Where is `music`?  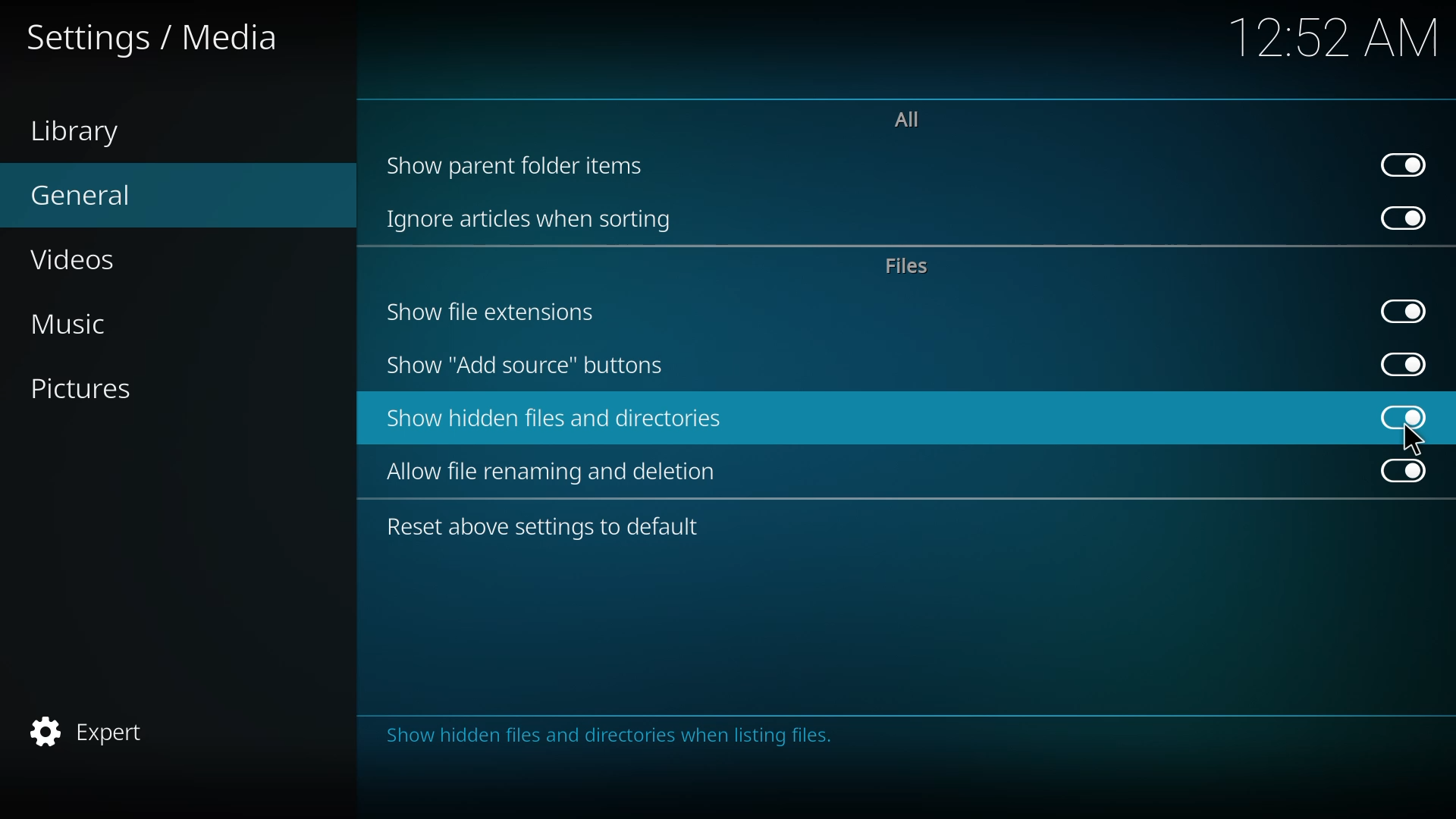 music is located at coordinates (89, 322).